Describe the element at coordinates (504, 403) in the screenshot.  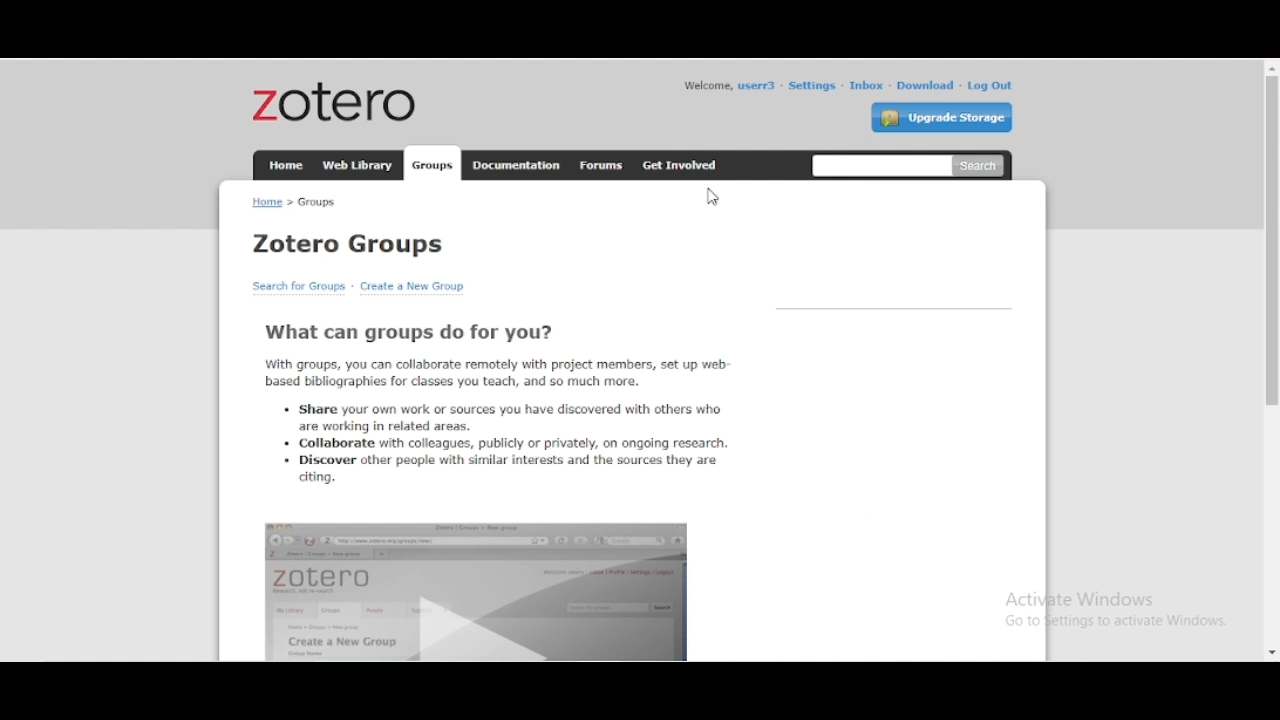
I see `what can groups do for you?` at that location.